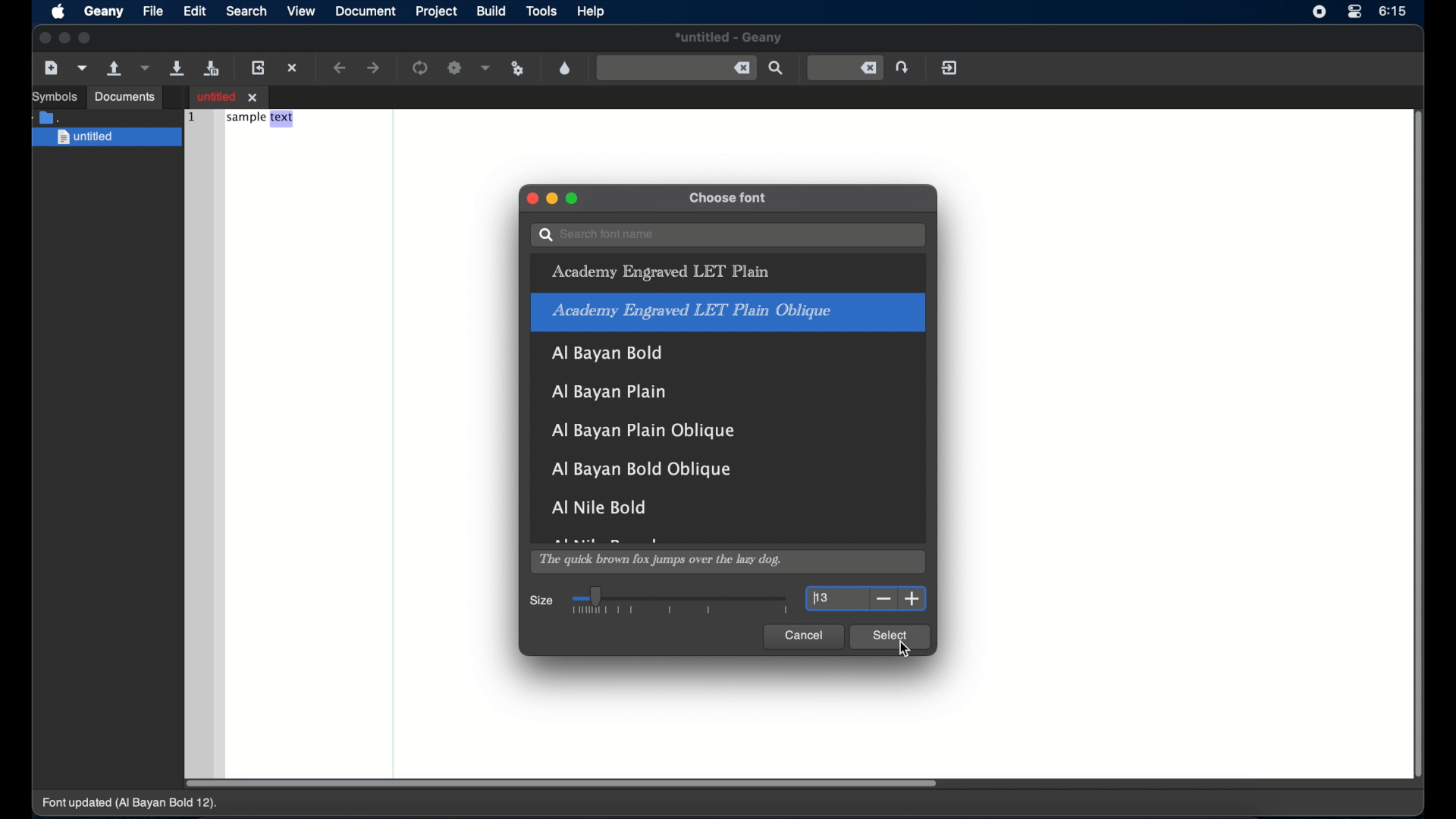 The width and height of the screenshot is (1456, 819). Describe the element at coordinates (565, 67) in the screenshot. I see `open a color chooser dialogue` at that location.